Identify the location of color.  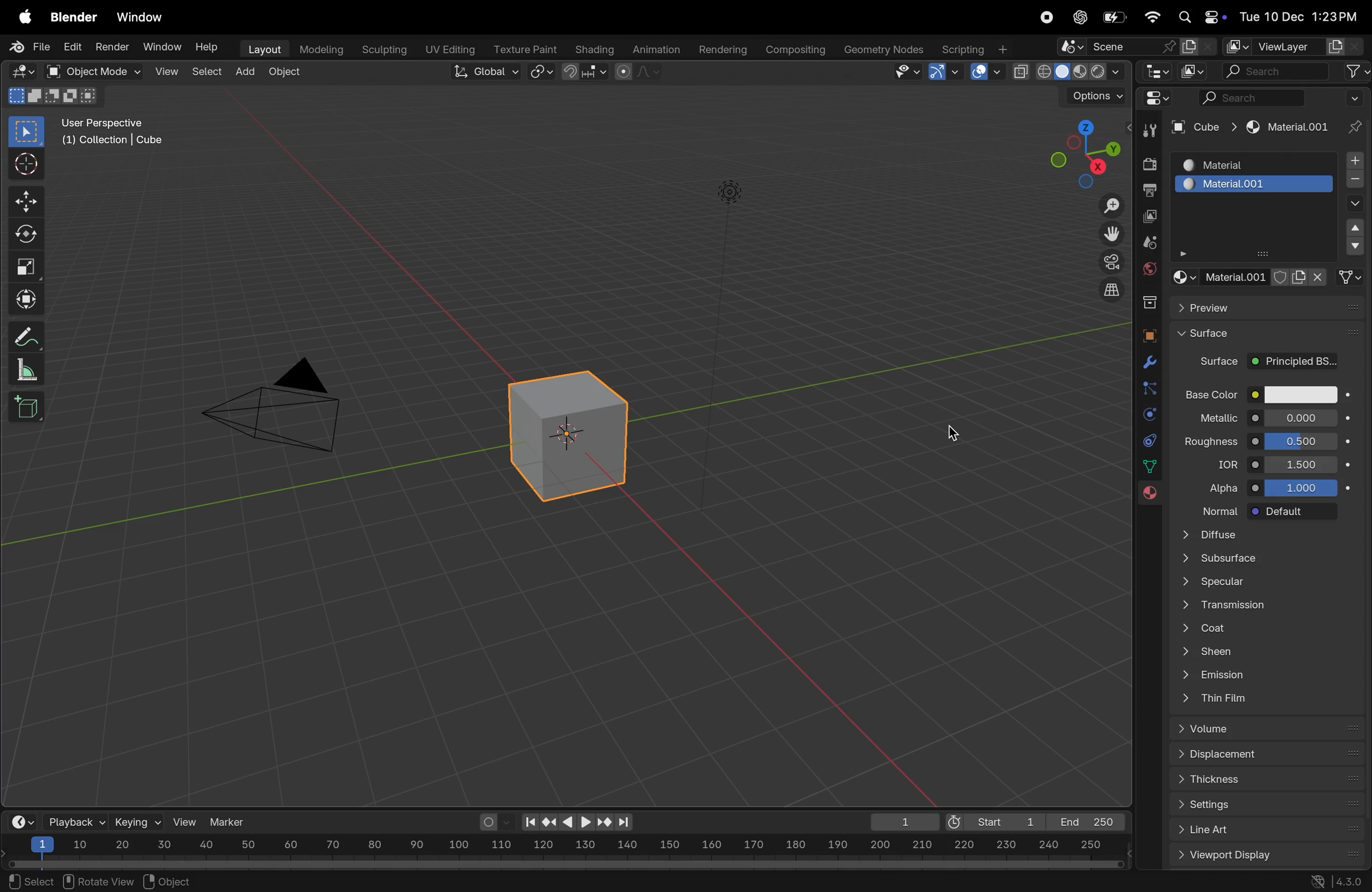
(1302, 396).